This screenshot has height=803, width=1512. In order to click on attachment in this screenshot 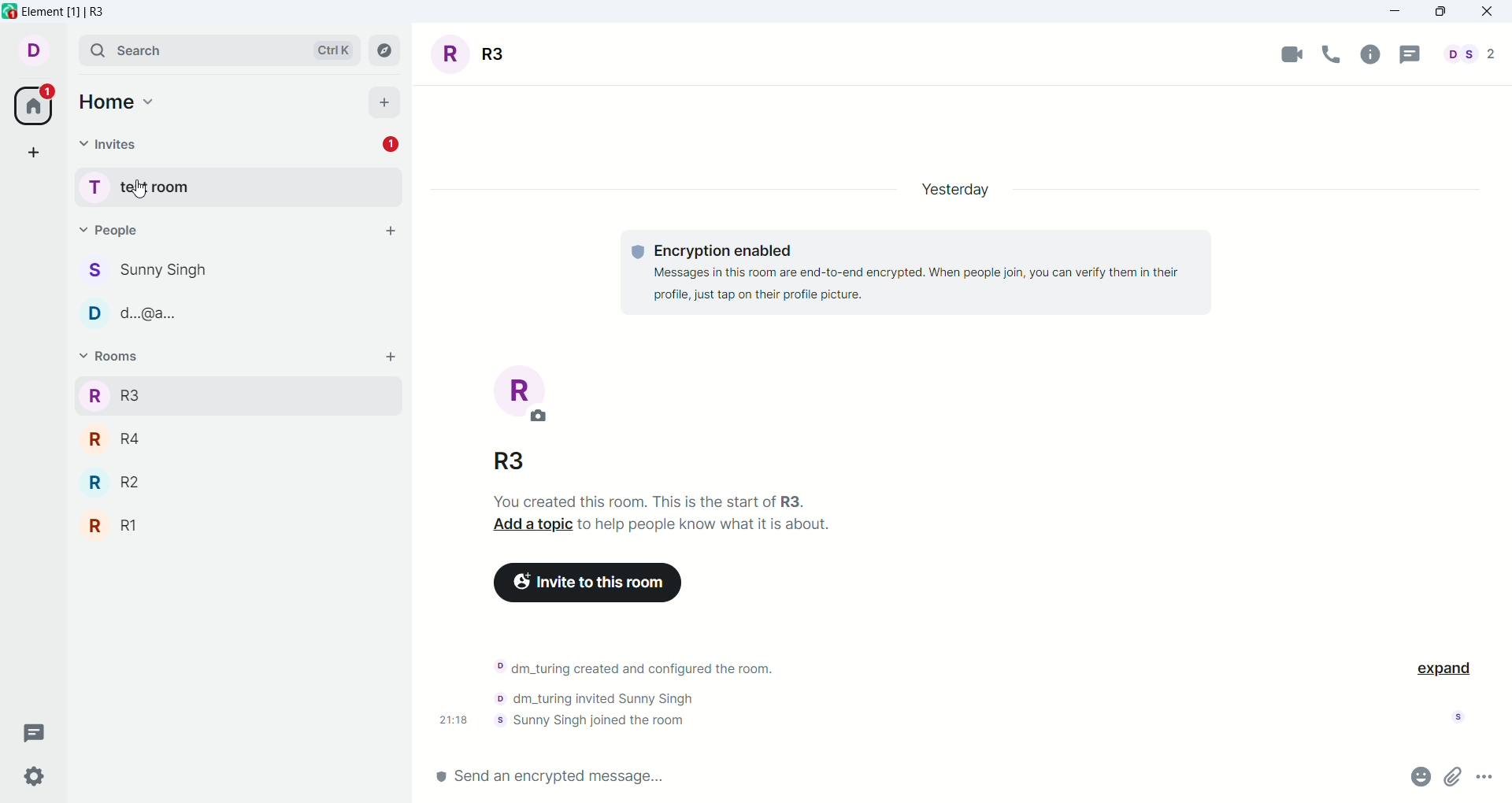, I will do `click(1454, 778)`.